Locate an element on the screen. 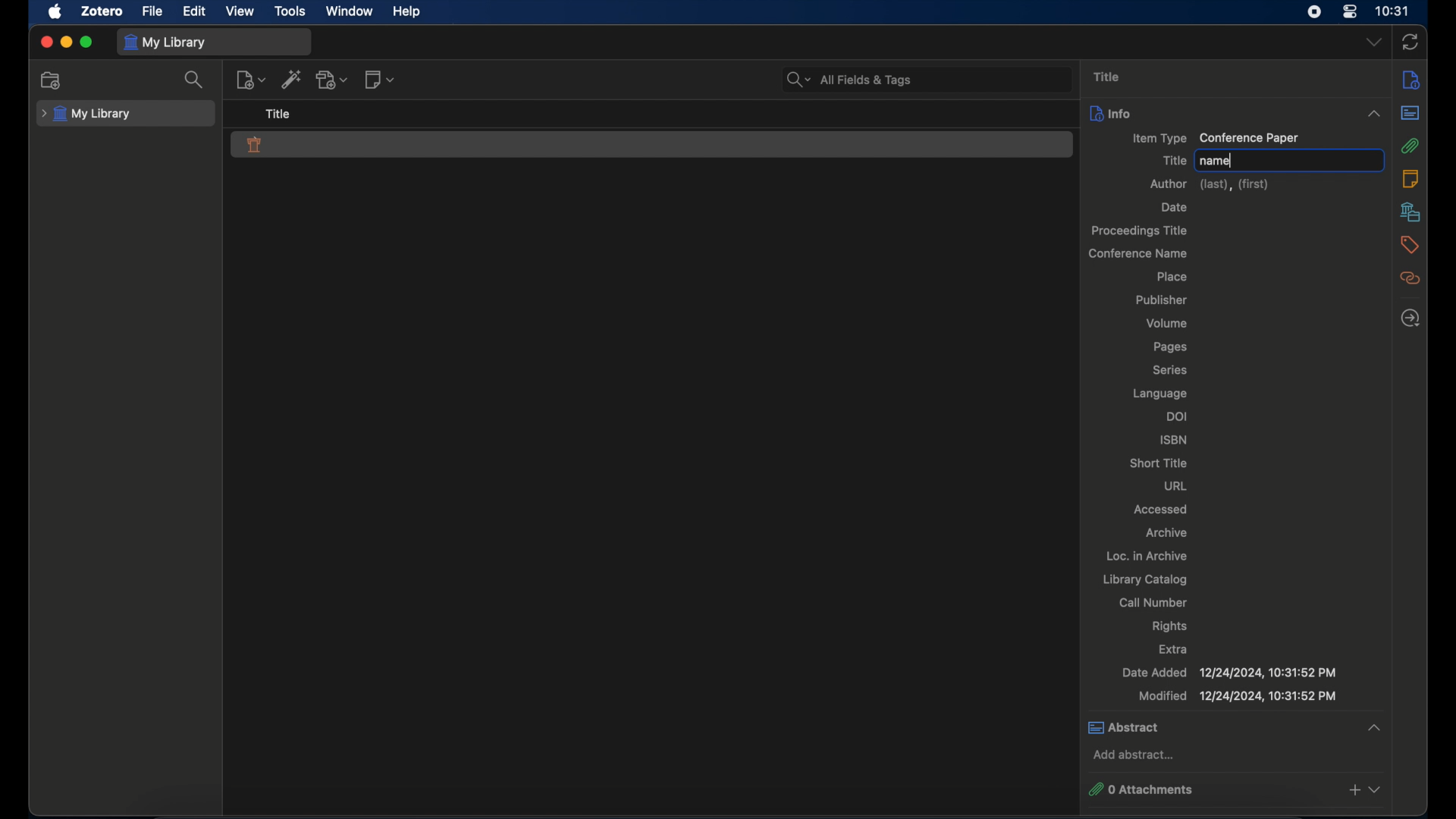 The width and height of the screenshot is (1456, 819). url is located at coordinates (1175, 485).